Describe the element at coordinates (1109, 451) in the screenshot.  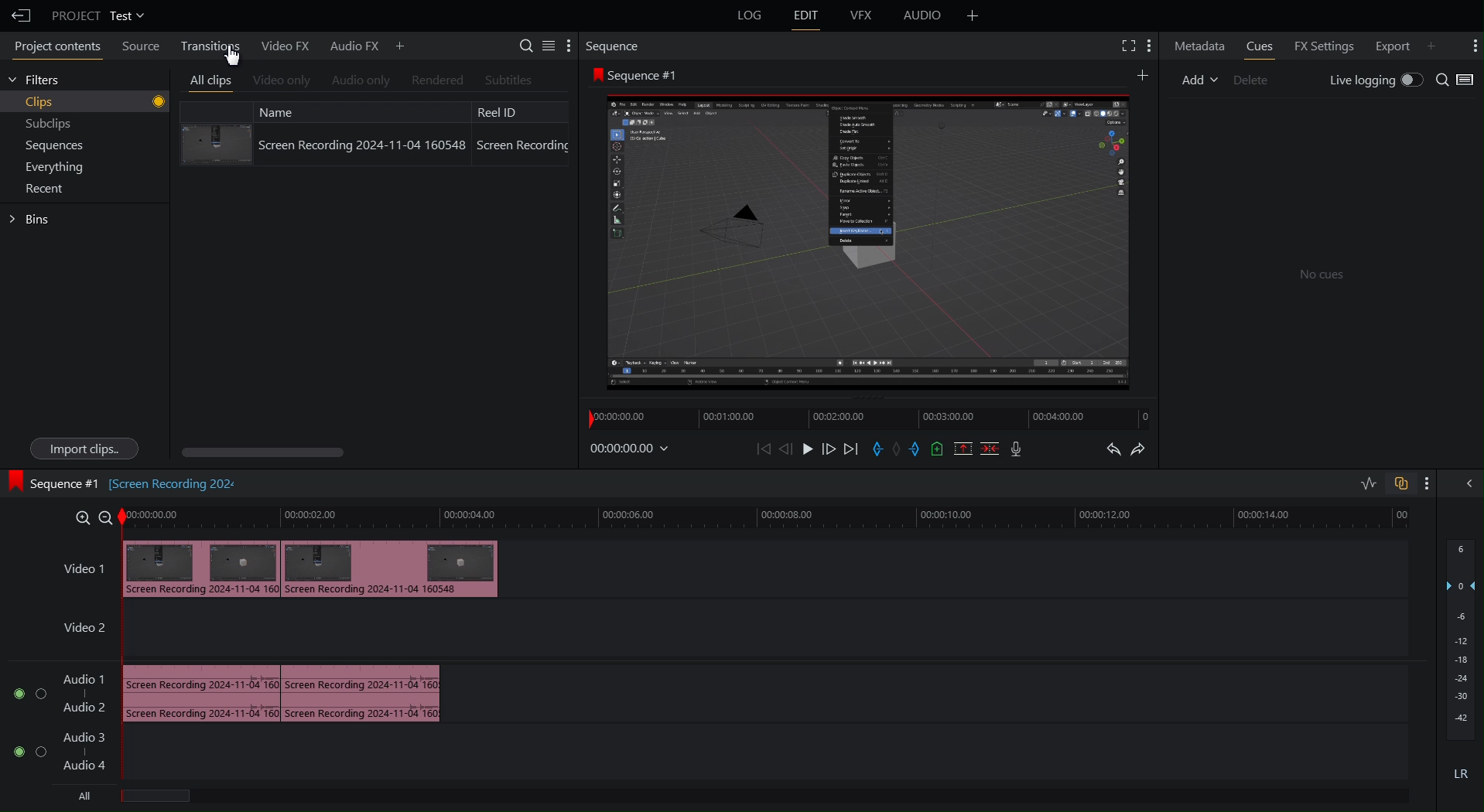
I see `Undo` at that location.